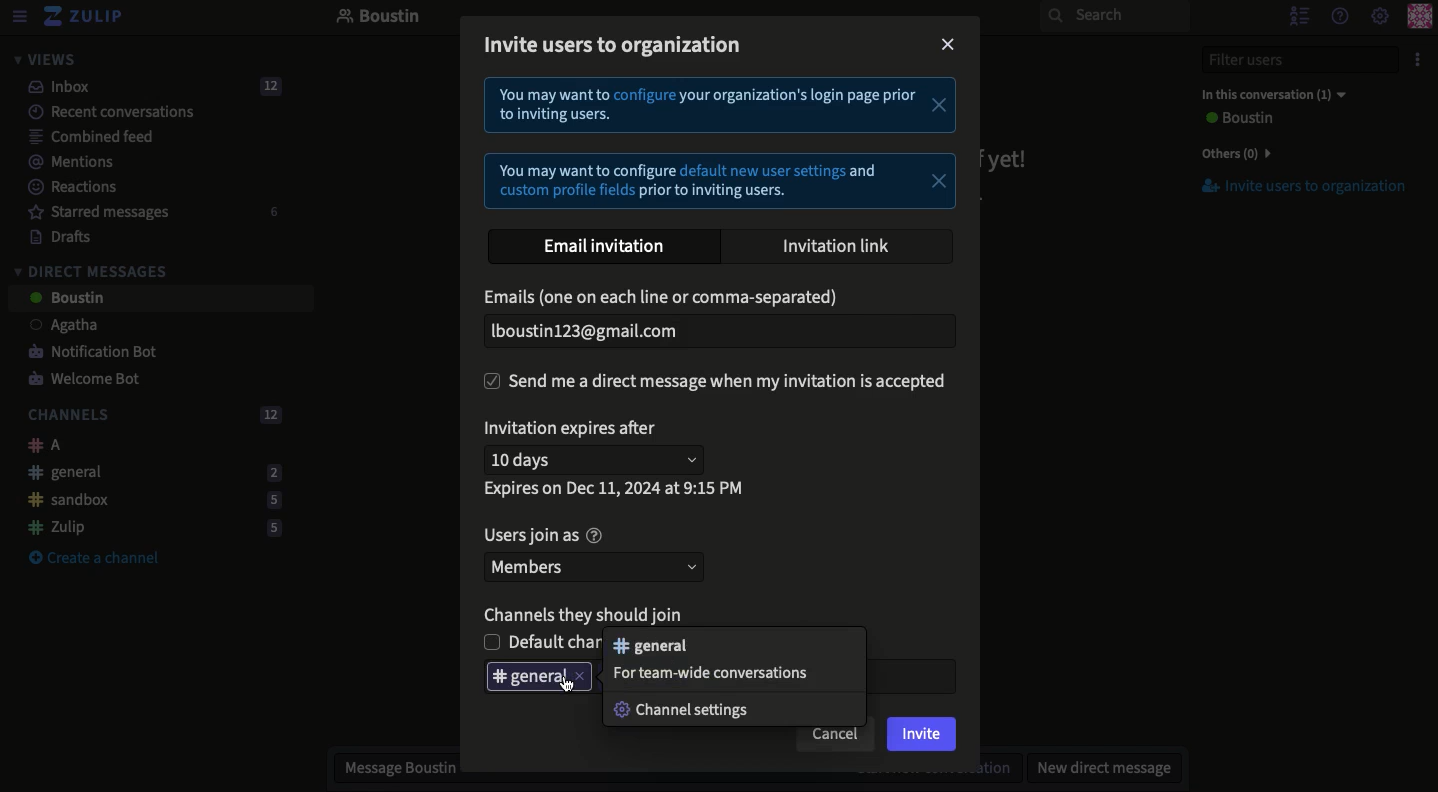 This screenshot has height=792, width=1438. What do you see at coordinates (80, 136) in the screenshot?
I see `Combined feed` at bounding box center [80, 136].